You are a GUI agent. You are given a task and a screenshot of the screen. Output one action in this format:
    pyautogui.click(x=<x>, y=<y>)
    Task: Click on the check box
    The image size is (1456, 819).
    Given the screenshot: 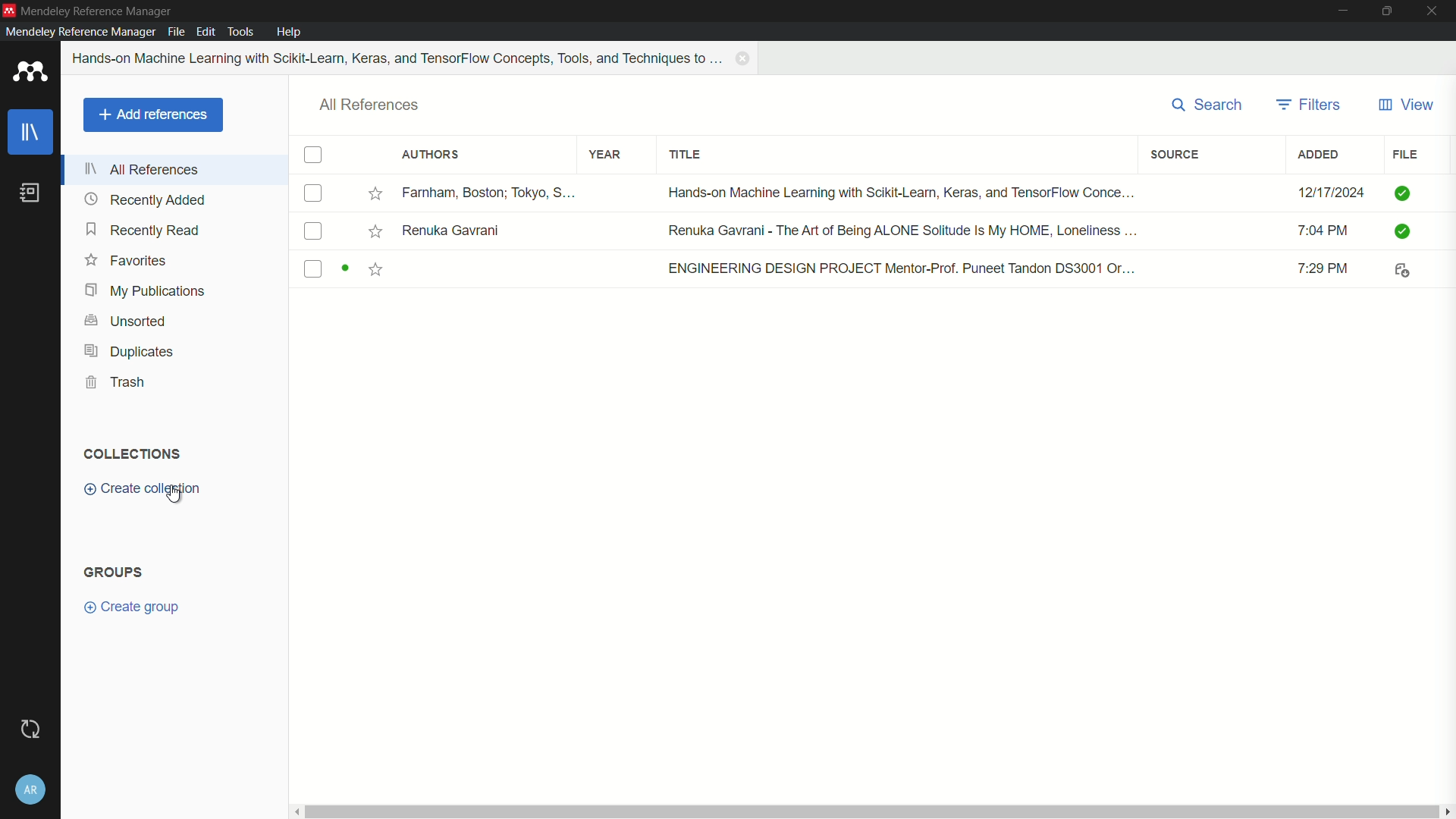 What is the action you would take?
    pyautogui.click(x=313, y=155)
    